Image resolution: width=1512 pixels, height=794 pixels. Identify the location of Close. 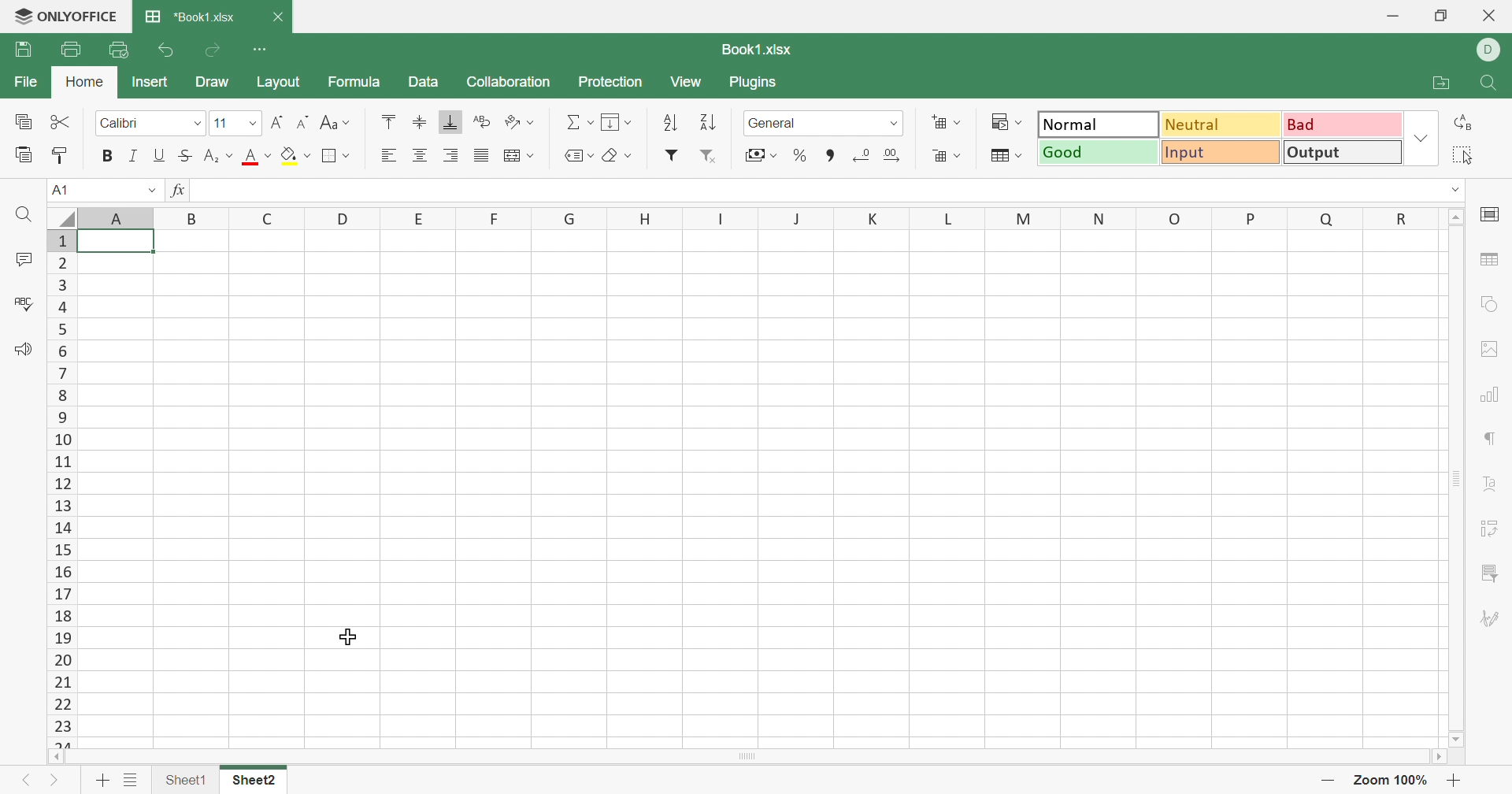
(1491, 15).